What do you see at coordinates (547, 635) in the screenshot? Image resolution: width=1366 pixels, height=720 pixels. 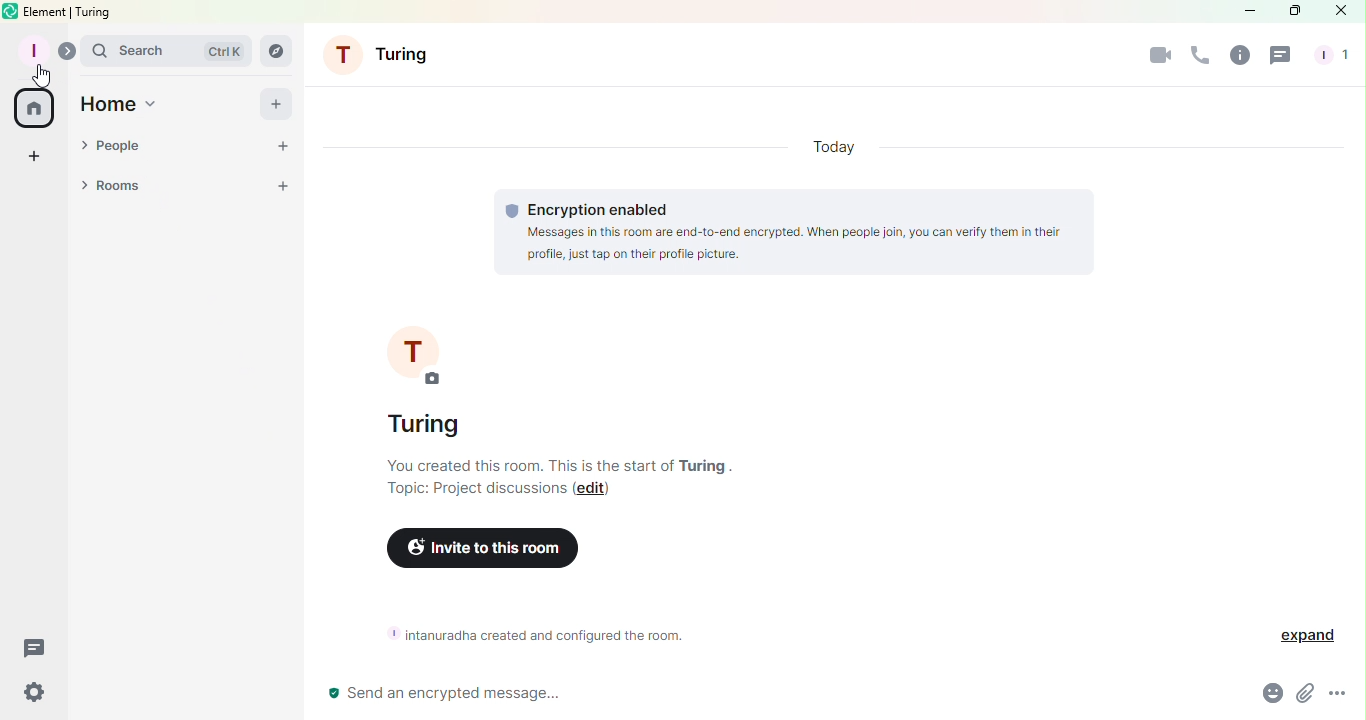 I see `Room information` at bounding box center [547, 635].